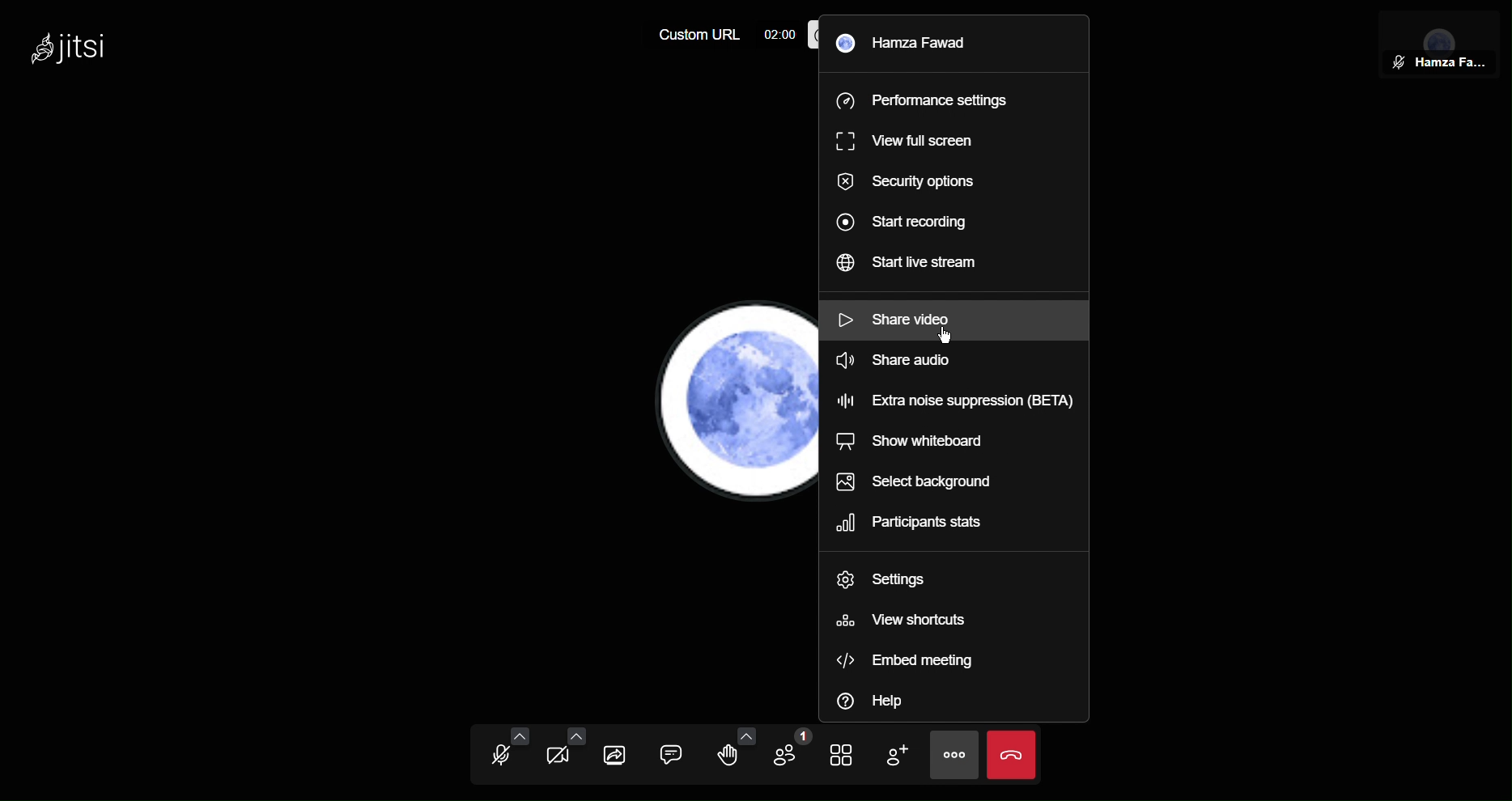  I want to click on Close, so click(1013, 753).